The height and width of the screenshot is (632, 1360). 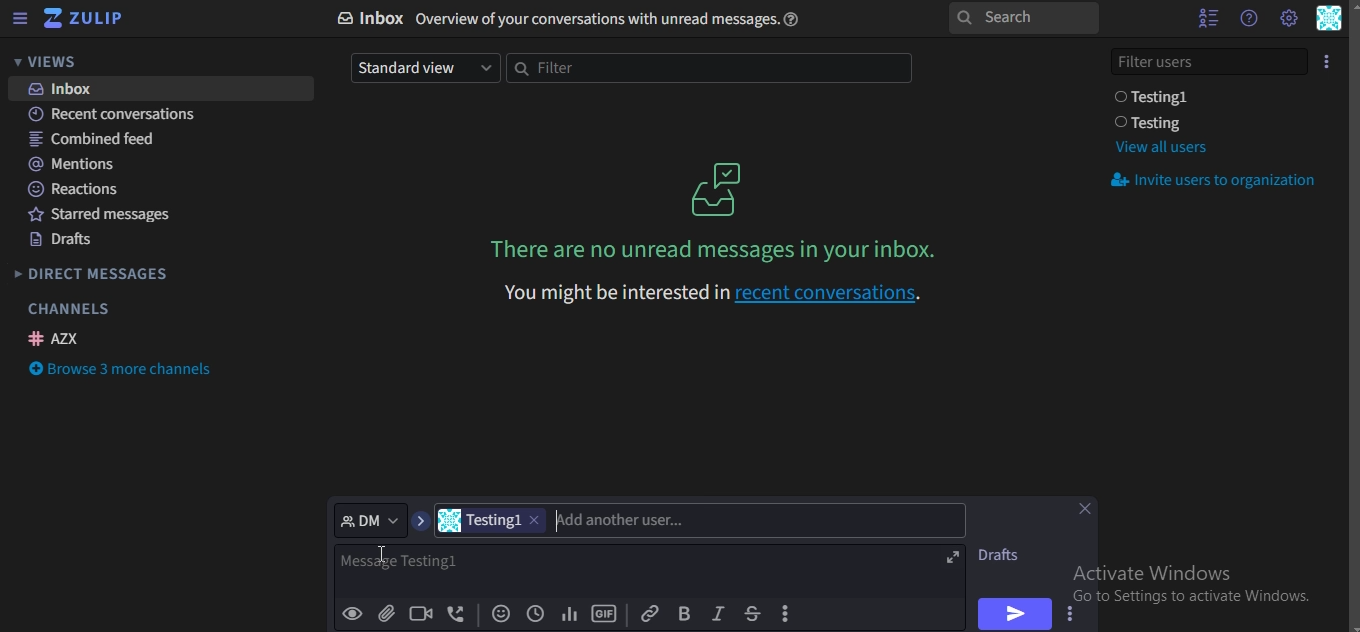 I want to click on help menu, so click(x=1248, y=18).